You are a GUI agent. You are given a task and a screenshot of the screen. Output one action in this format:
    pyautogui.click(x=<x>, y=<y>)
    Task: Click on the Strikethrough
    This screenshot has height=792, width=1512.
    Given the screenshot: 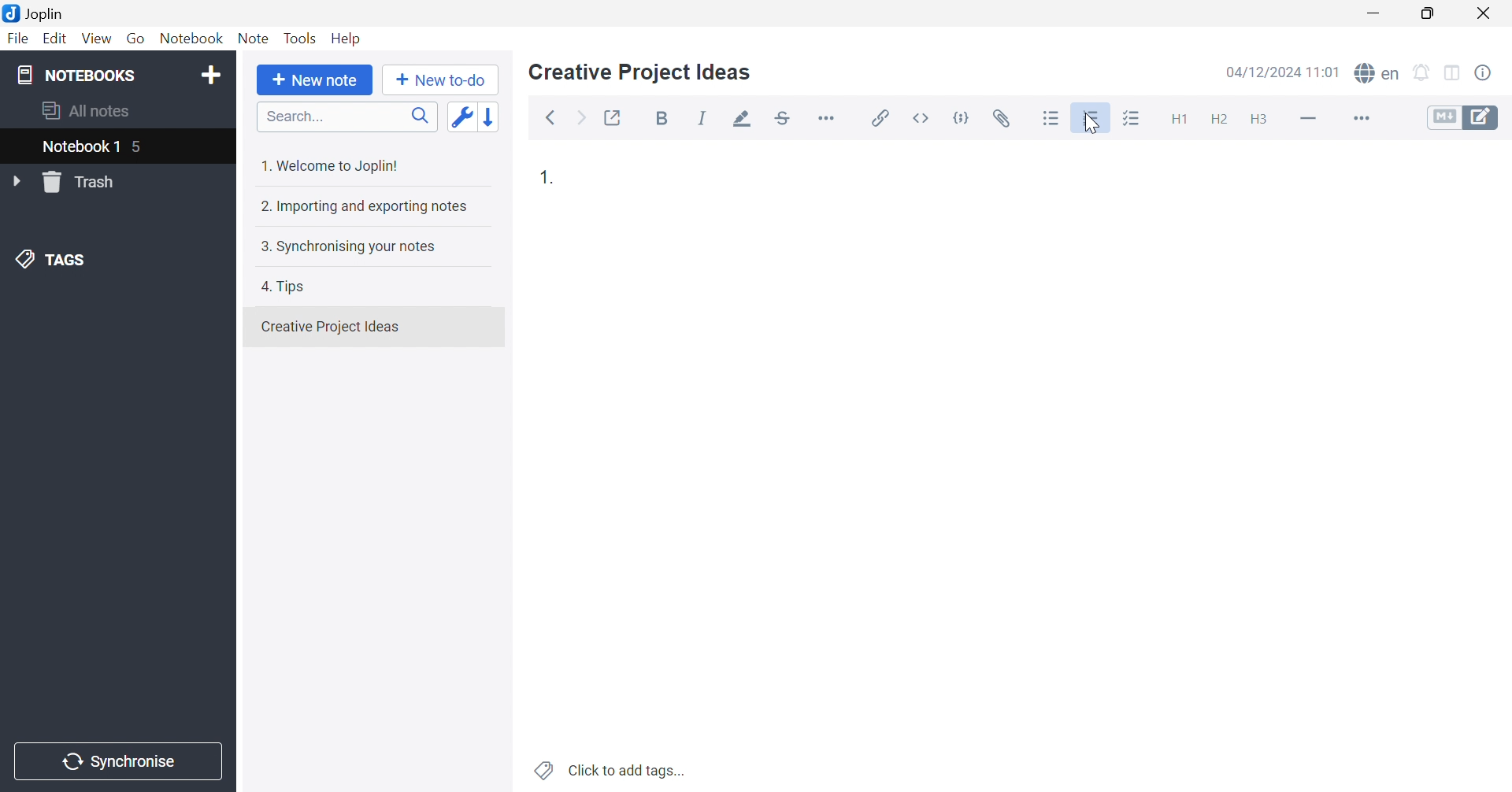 What is the action you would take?
    pyautogui.click(x=787, y=120)
    